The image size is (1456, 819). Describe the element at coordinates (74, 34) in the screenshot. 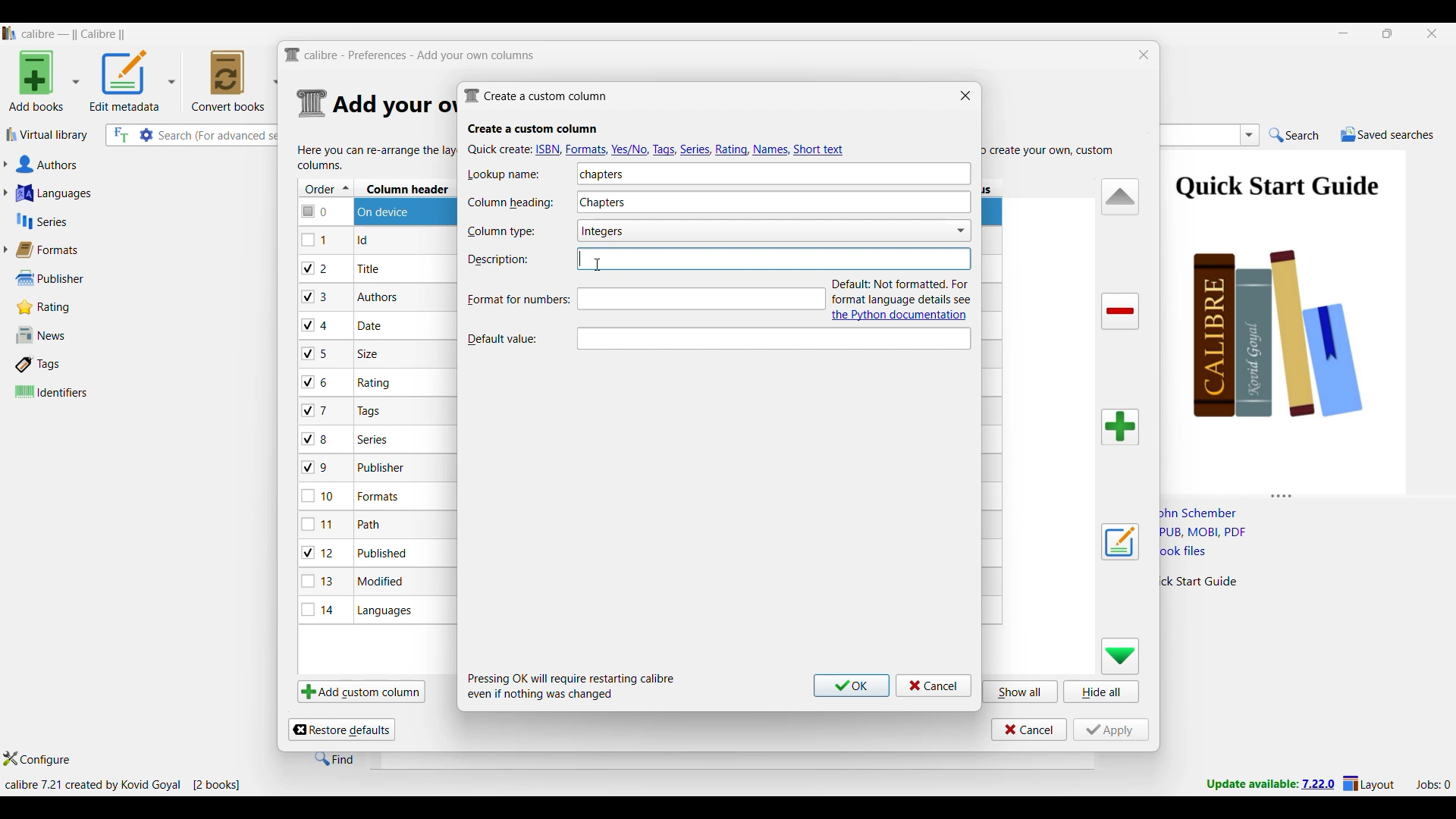

I see `Software name` at that location.